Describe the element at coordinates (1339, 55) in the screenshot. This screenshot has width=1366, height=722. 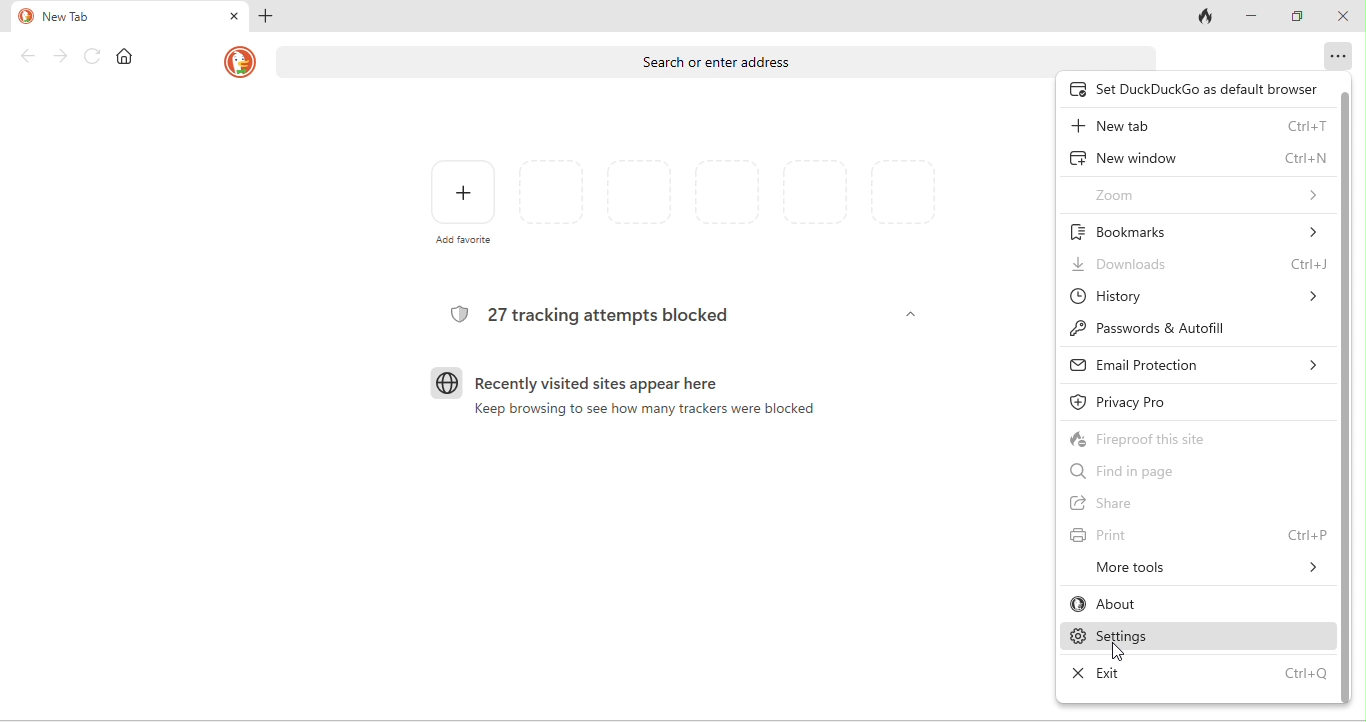
I see `options` at that location.